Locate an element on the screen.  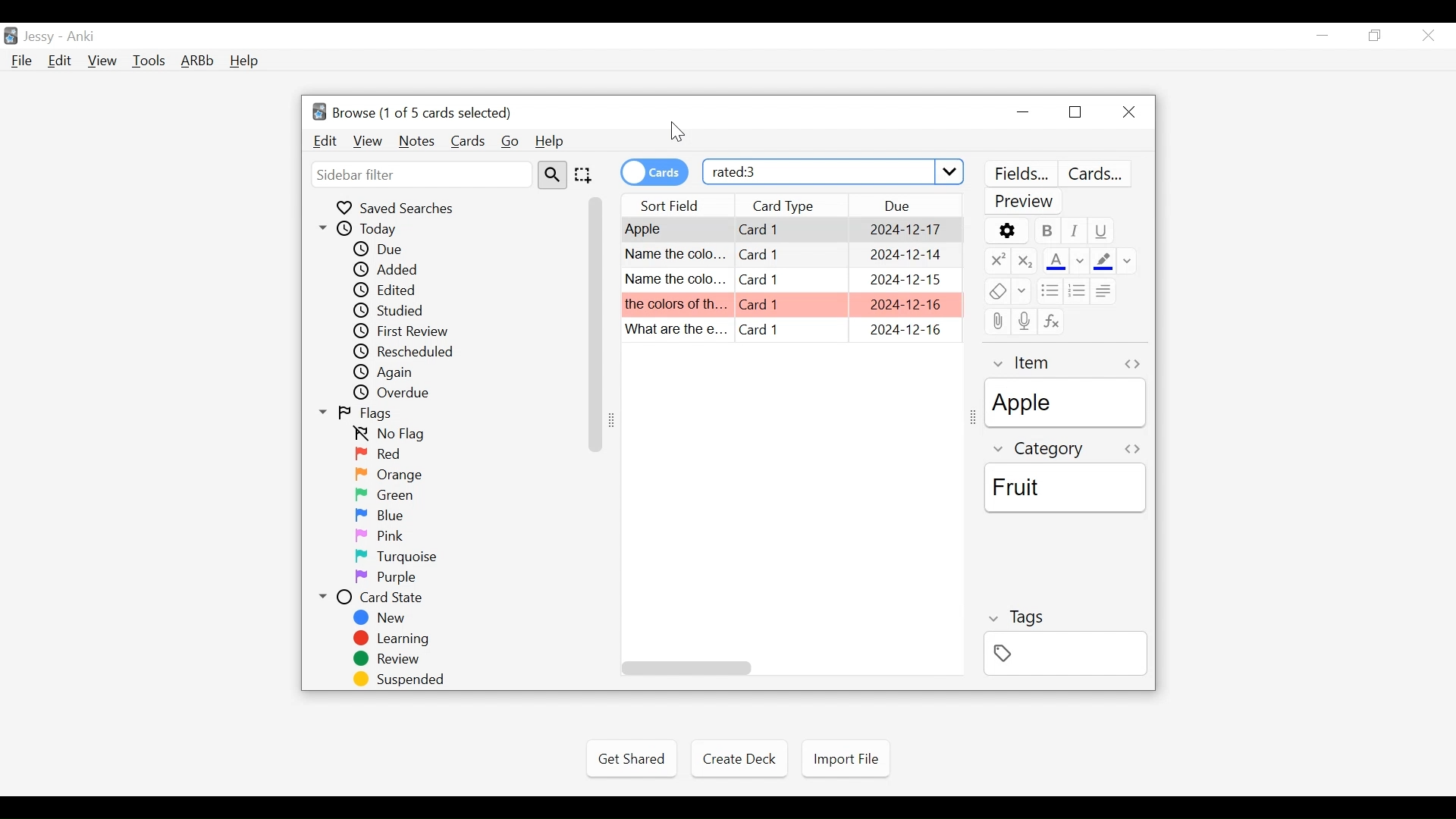
First Review is located at coordinates (404, 332).